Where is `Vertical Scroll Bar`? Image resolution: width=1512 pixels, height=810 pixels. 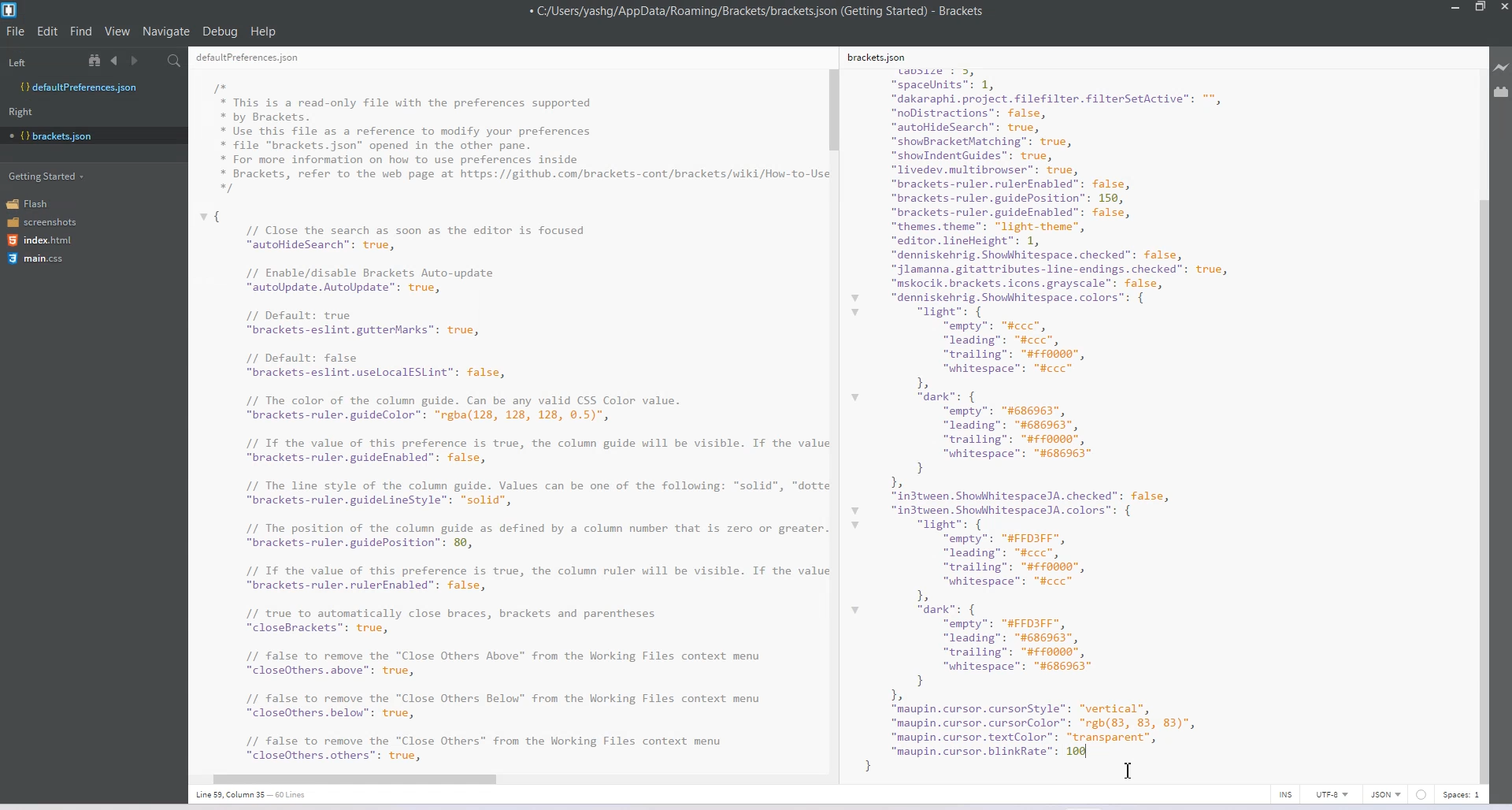
Vertical Scroll Bar is located at coordinates (834, 416).